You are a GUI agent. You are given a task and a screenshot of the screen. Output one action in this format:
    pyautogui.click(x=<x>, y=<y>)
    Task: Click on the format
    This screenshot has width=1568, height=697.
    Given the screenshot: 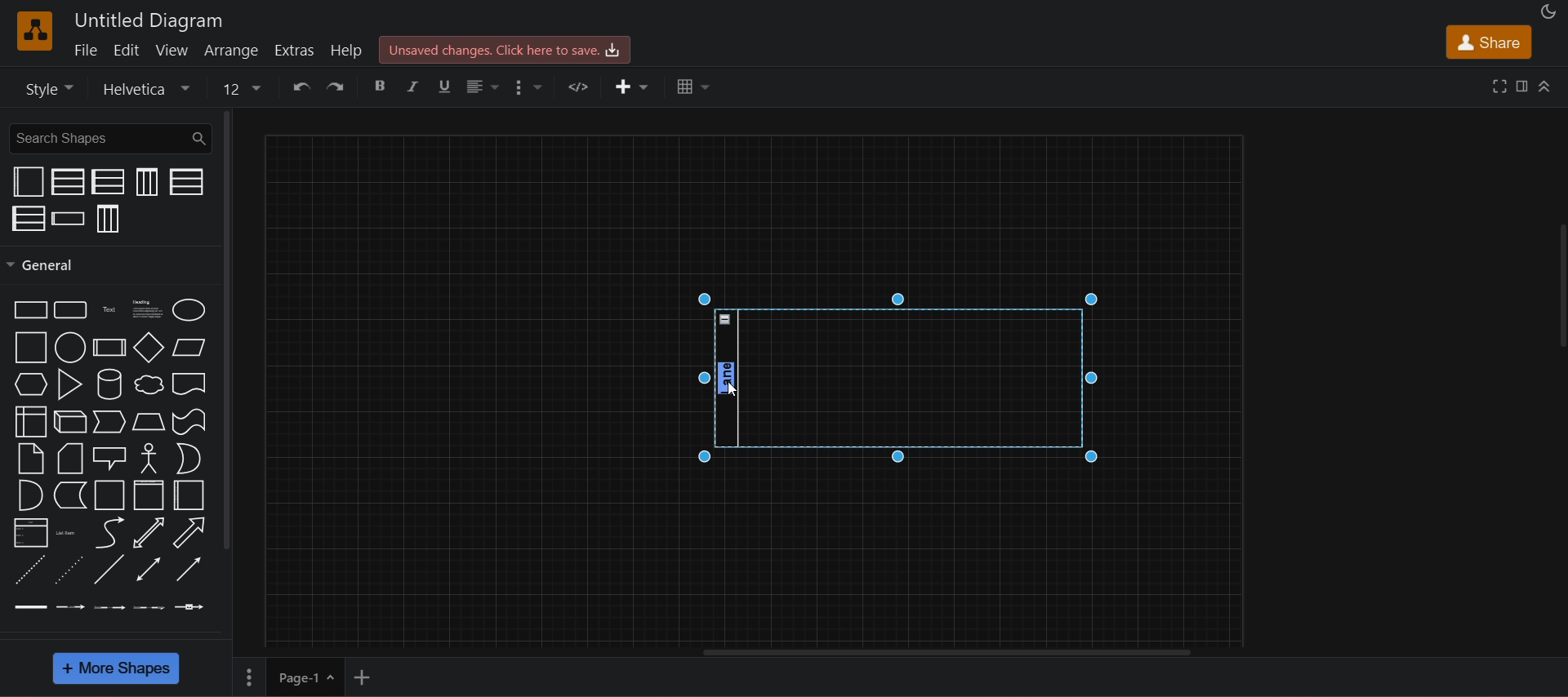 What is the action you would take?
    pyautogui.click(x=1522, y=84)
    